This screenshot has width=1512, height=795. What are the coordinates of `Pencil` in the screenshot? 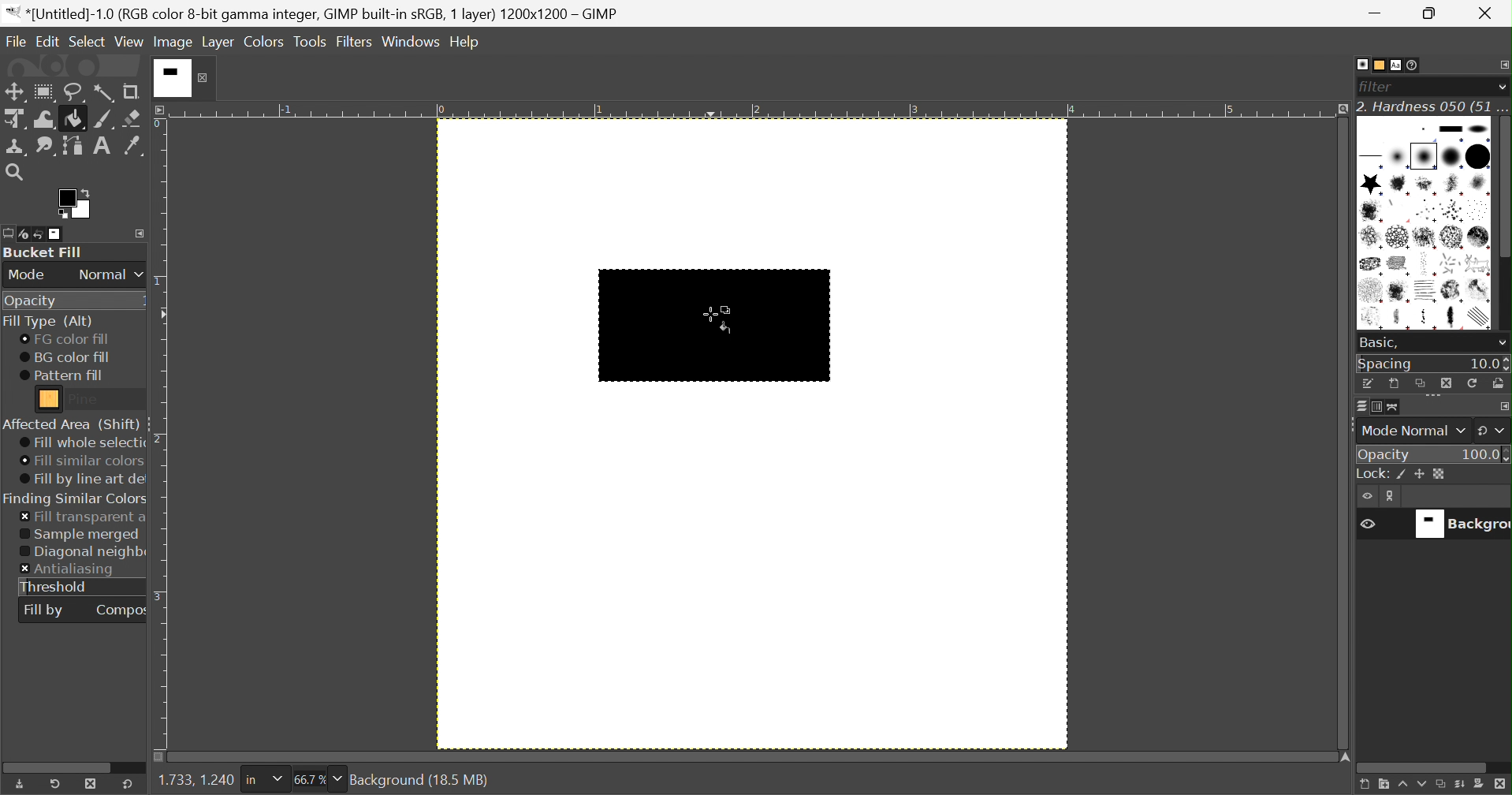 It's located at (1428, 319).